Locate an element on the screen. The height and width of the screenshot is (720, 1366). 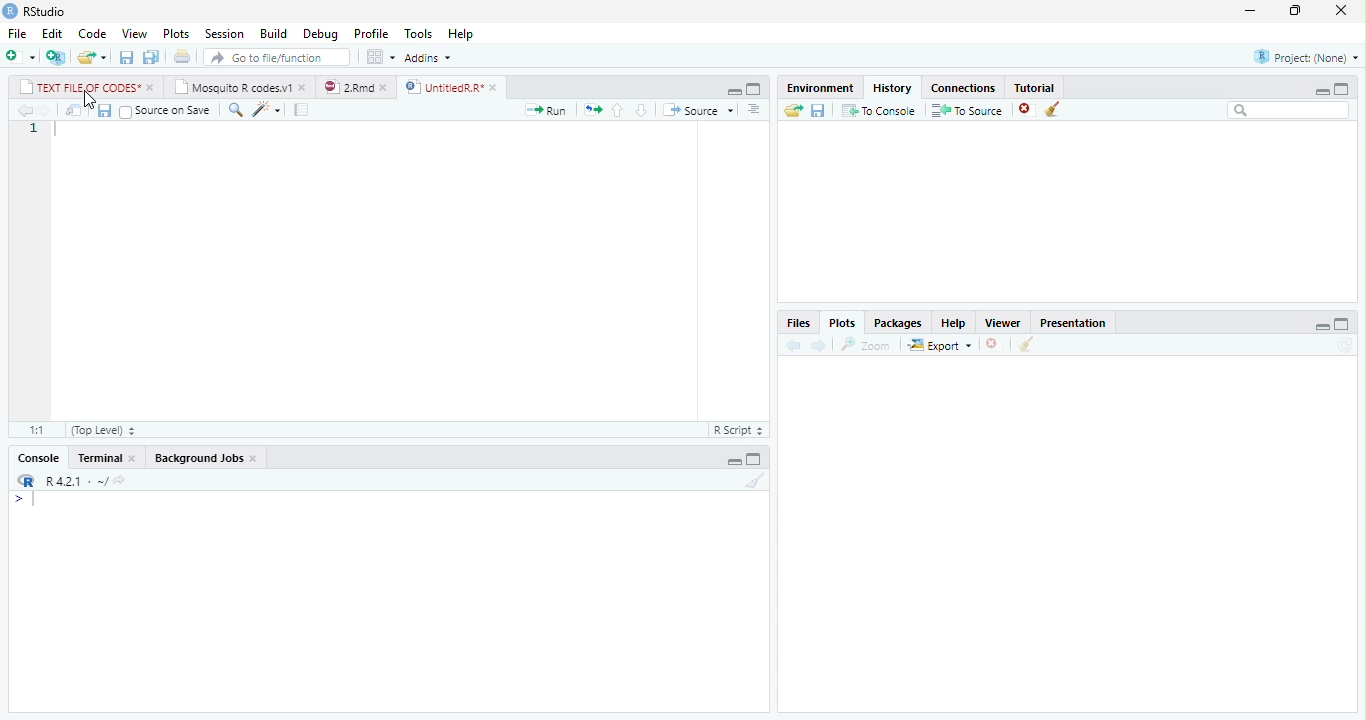
search file is located at coordinates (278, 57).